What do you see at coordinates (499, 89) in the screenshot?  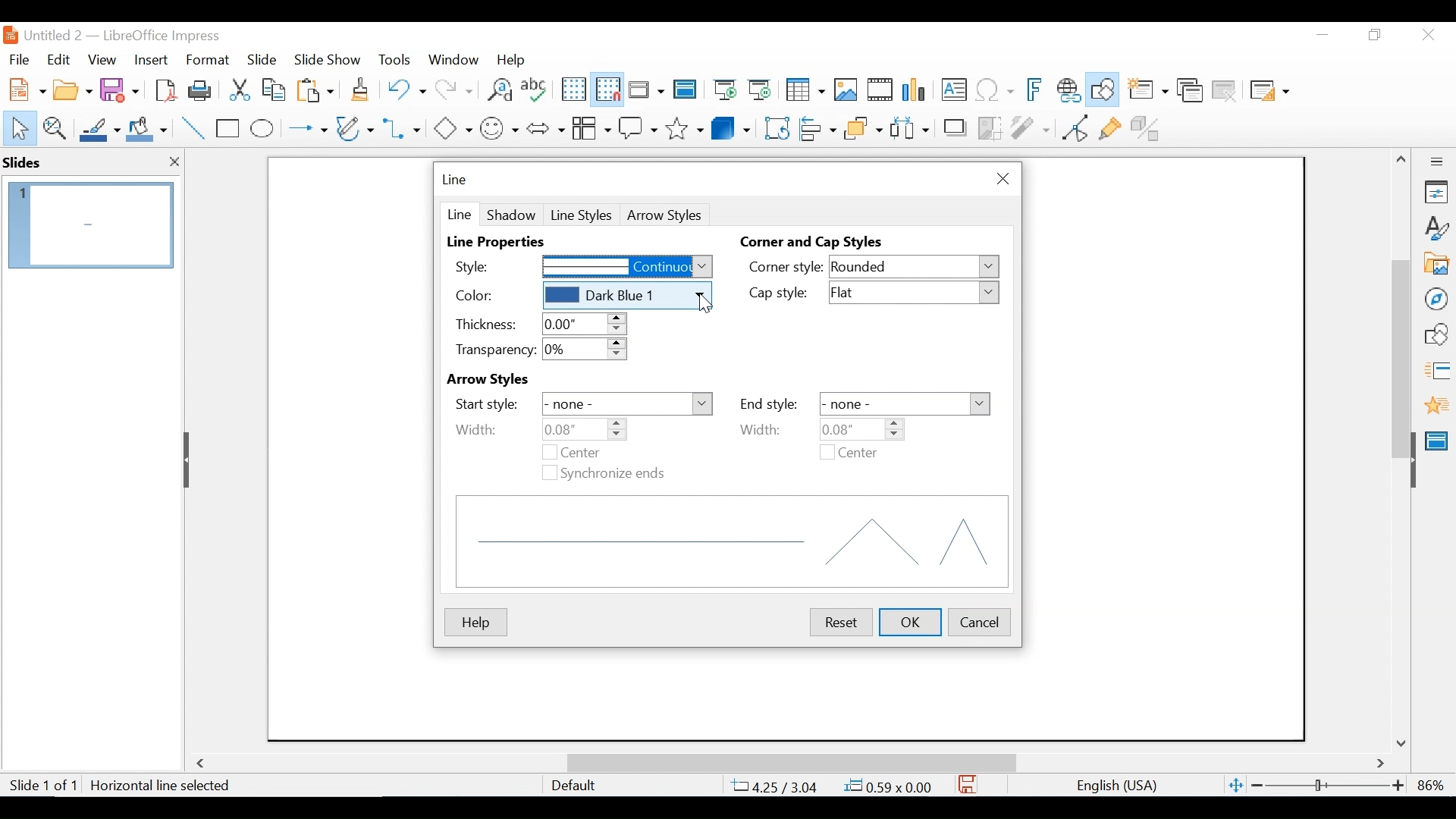 I see `Find and Replace` at bounding box center [499, 89].